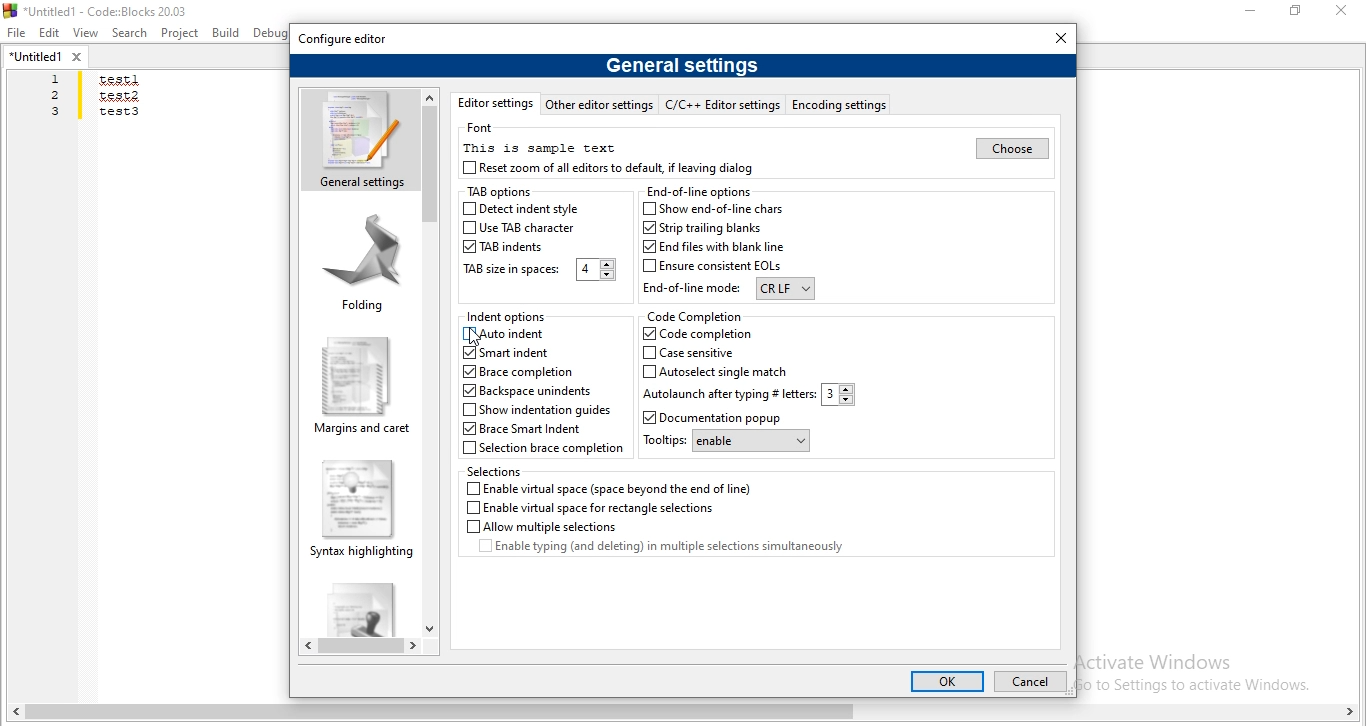  Describe the element at coordinates (180, 34) in the screenshot. I see `Project ` at that location.